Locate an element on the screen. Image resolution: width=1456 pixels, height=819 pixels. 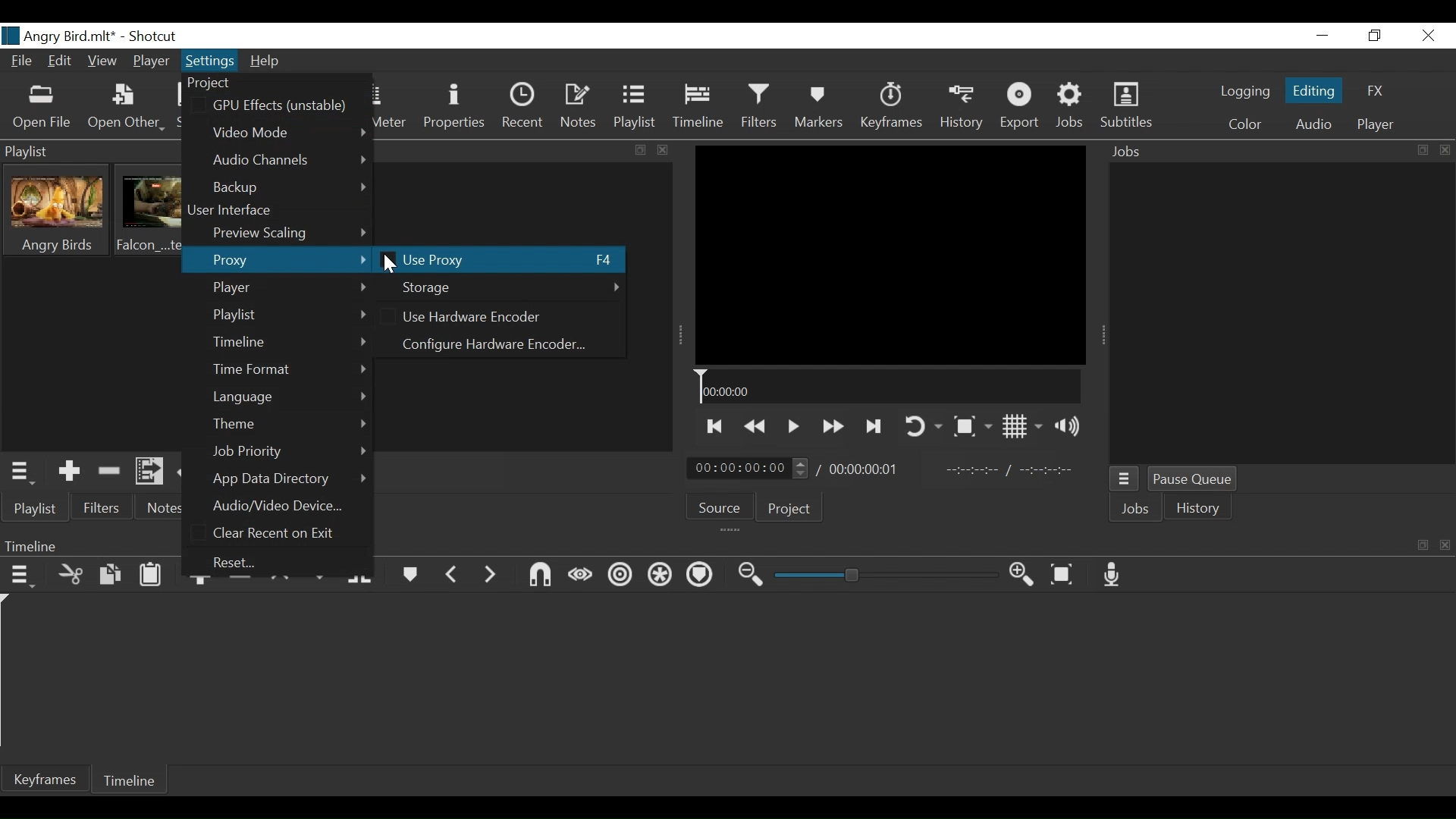
Clip is located at coordinates (148, 211).